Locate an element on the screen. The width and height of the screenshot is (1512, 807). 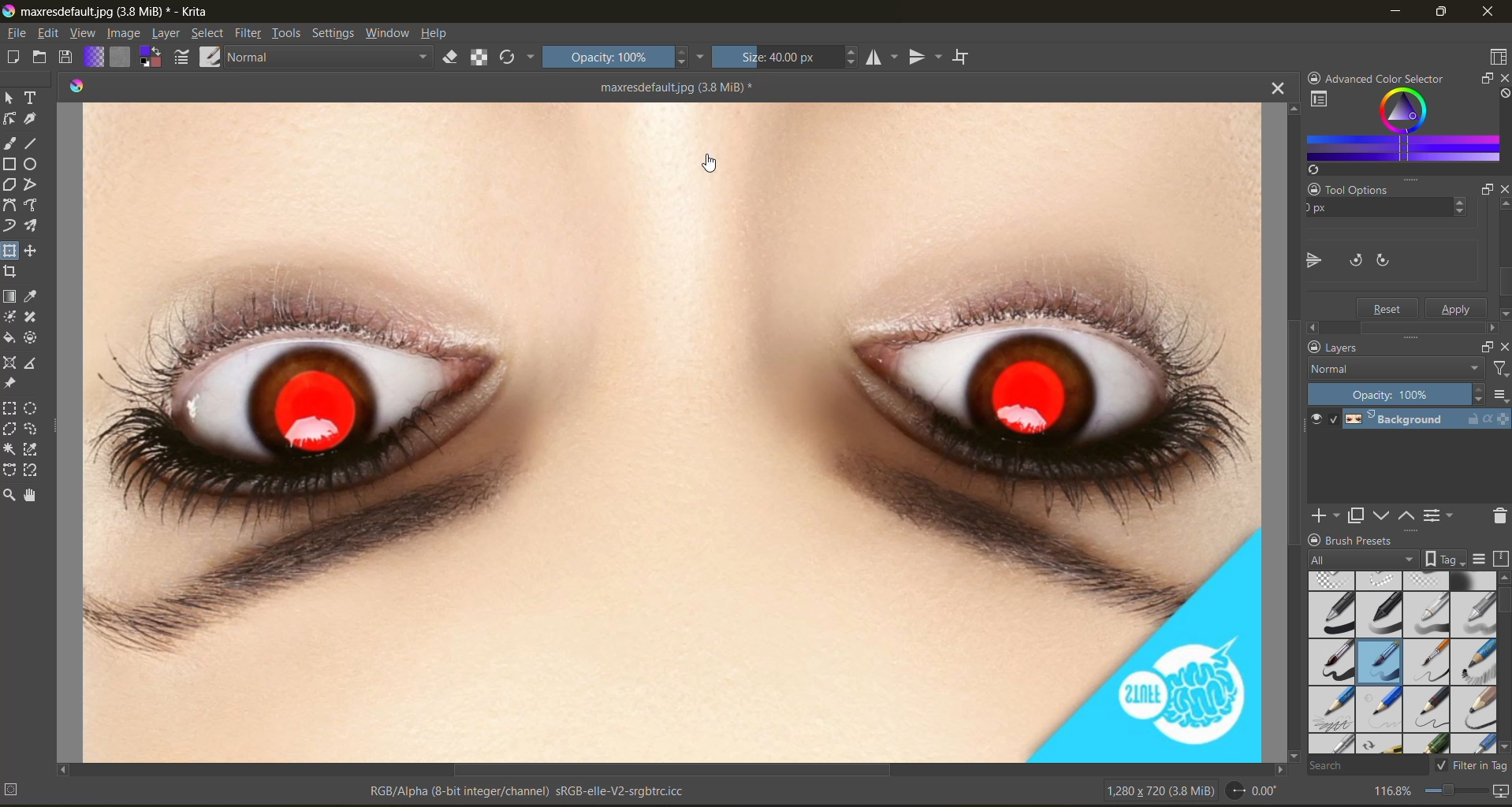
tool is located at coordinates (11, 430).